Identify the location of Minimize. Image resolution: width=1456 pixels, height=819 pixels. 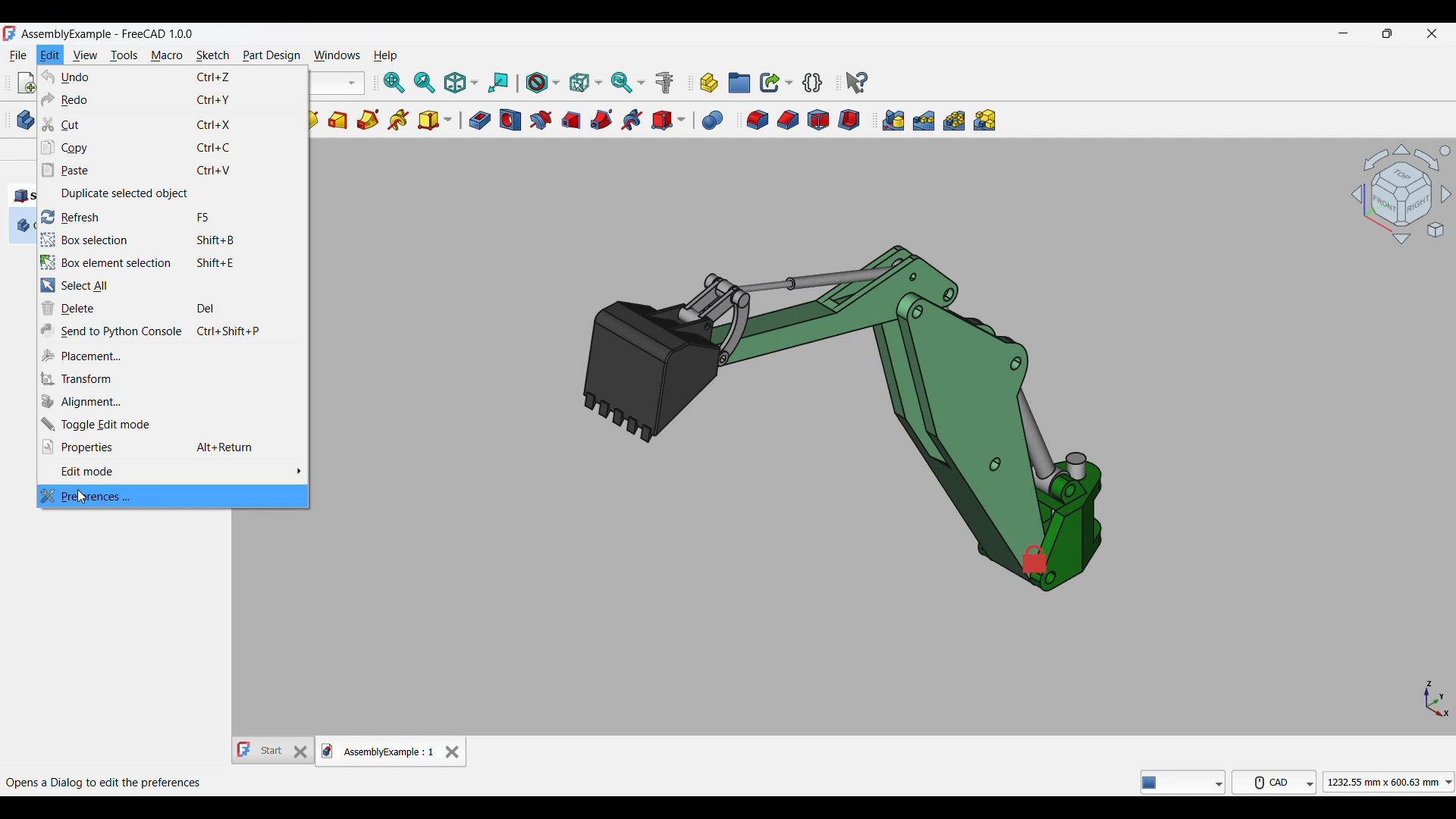
(1343, 33).